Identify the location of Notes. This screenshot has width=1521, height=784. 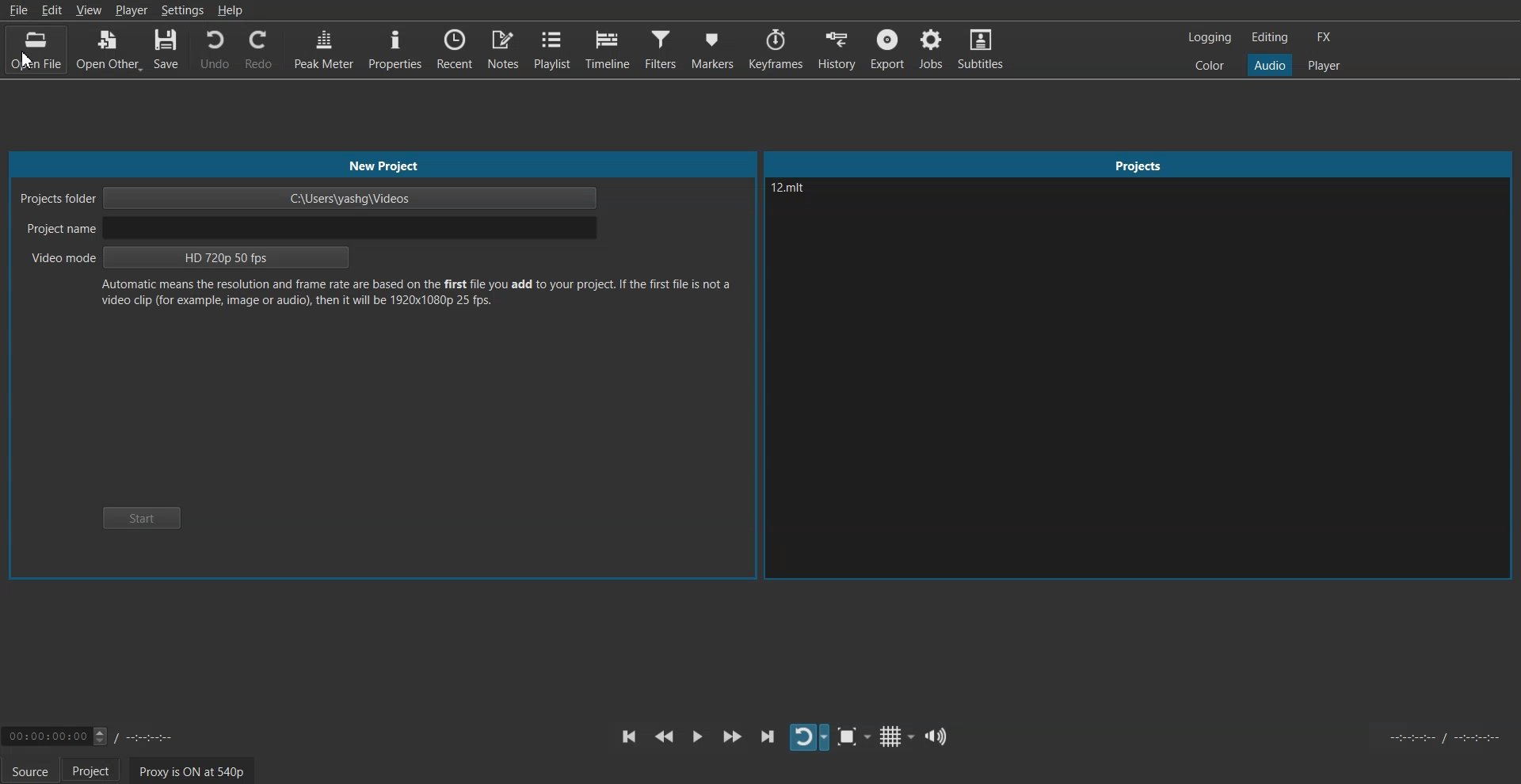
(505, 49).